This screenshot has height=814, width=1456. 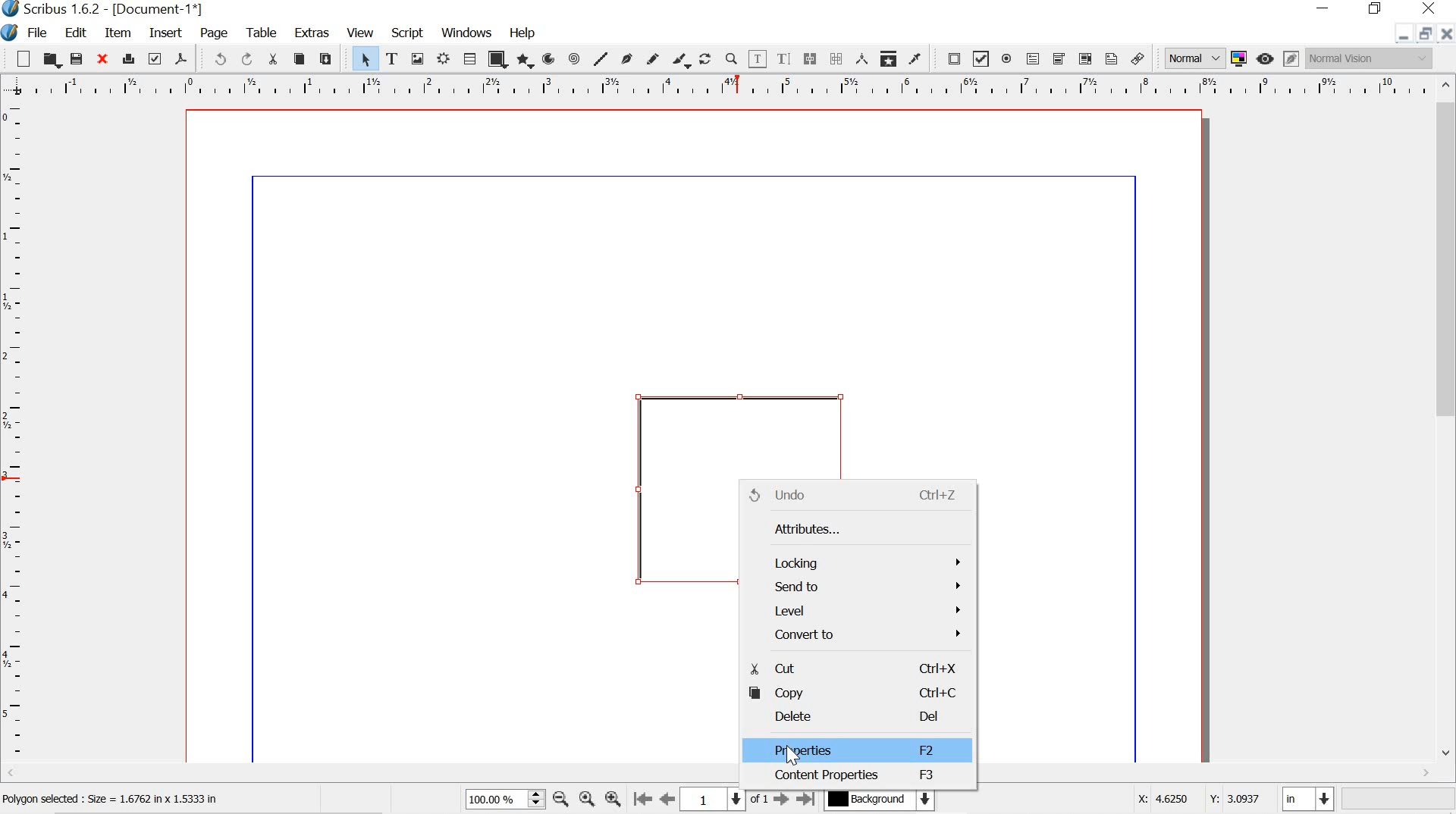 I want to click on pdf checkbox, so click(x=981, y=58).